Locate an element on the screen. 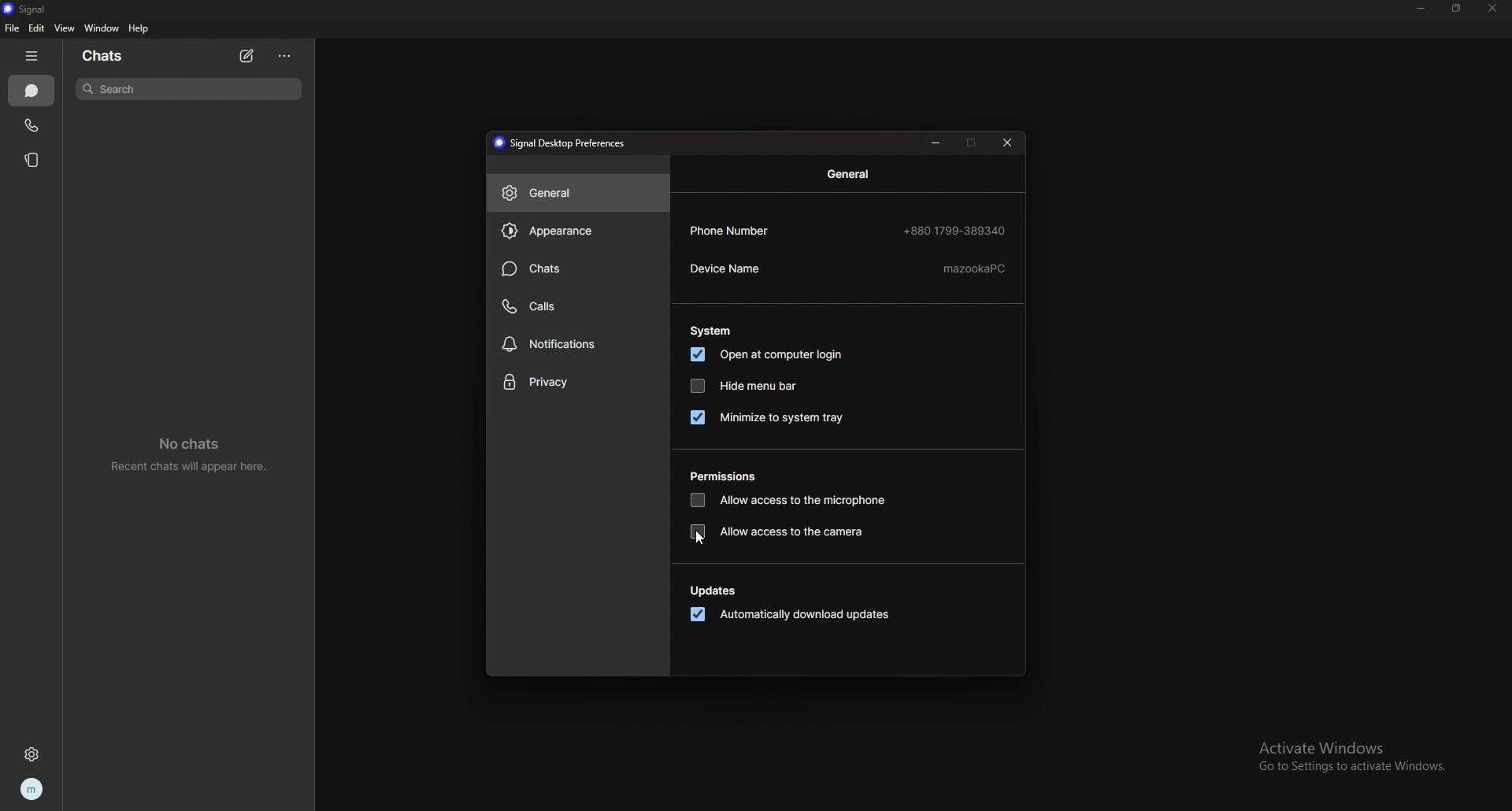 This screenshot has width=1512, height=811. hide menu bar is located at coordinates (743, 385).